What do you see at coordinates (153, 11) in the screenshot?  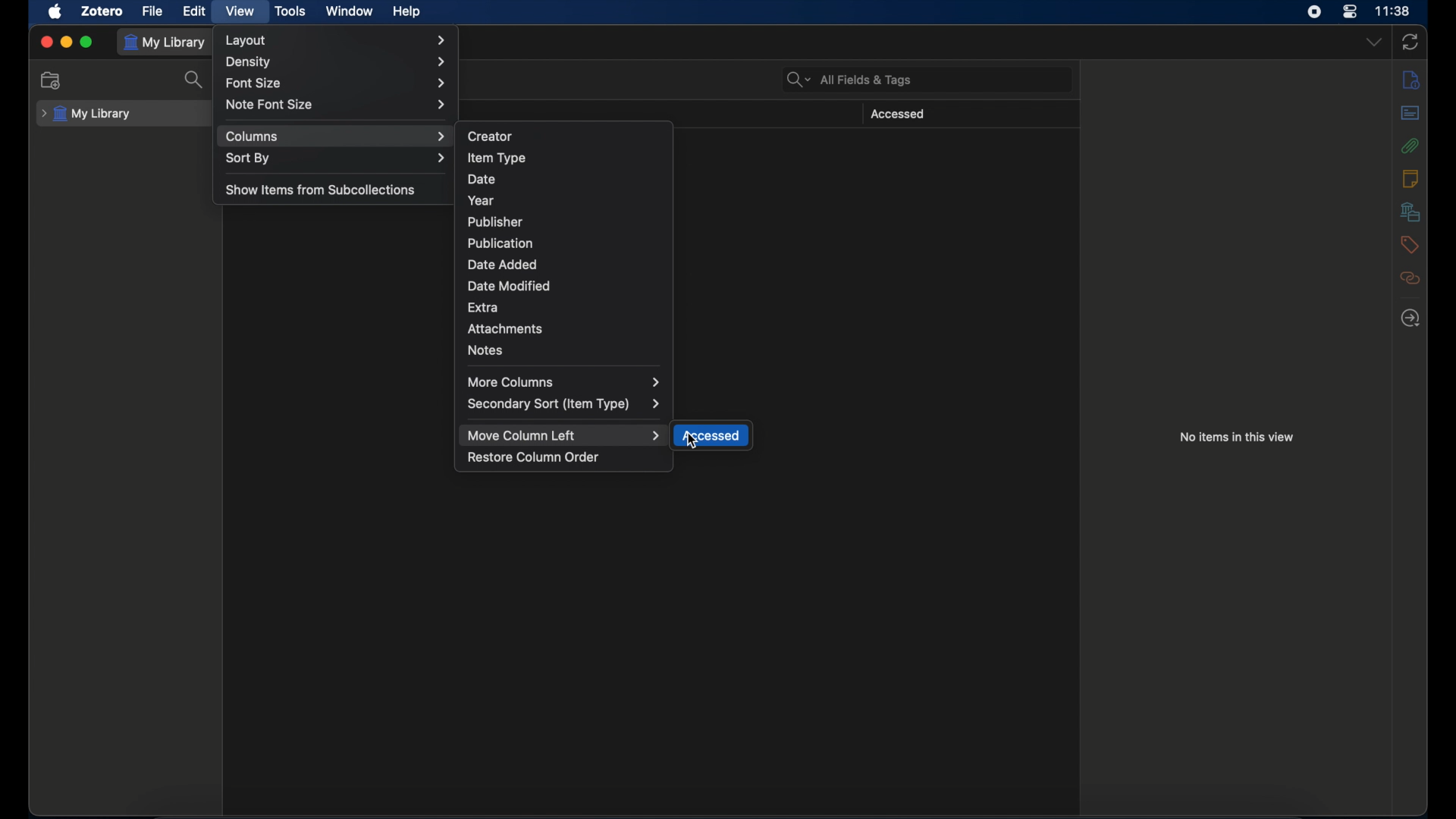 I see `file` at bounding box center [153, 11].